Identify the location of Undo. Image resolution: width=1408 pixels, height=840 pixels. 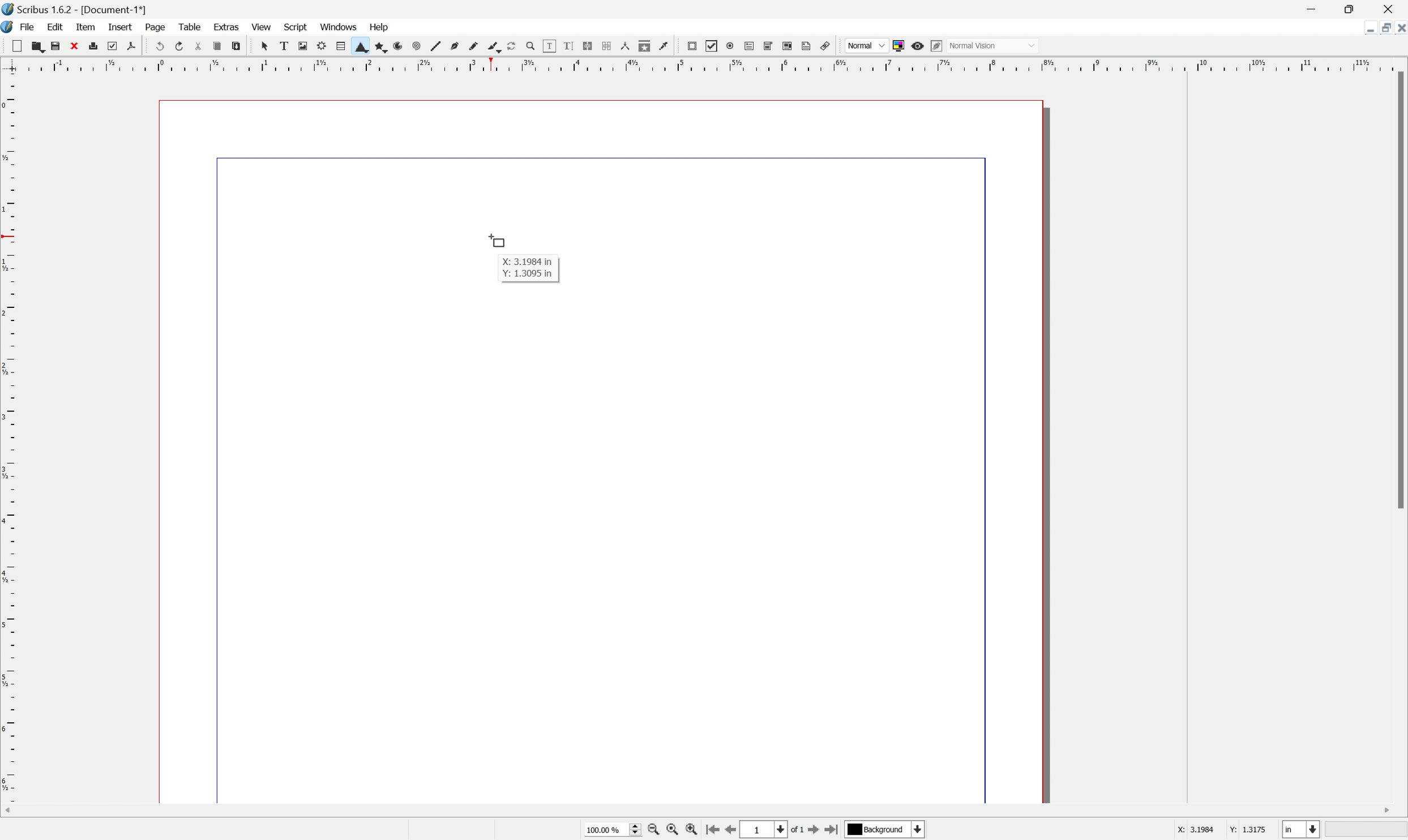
(157, 44).